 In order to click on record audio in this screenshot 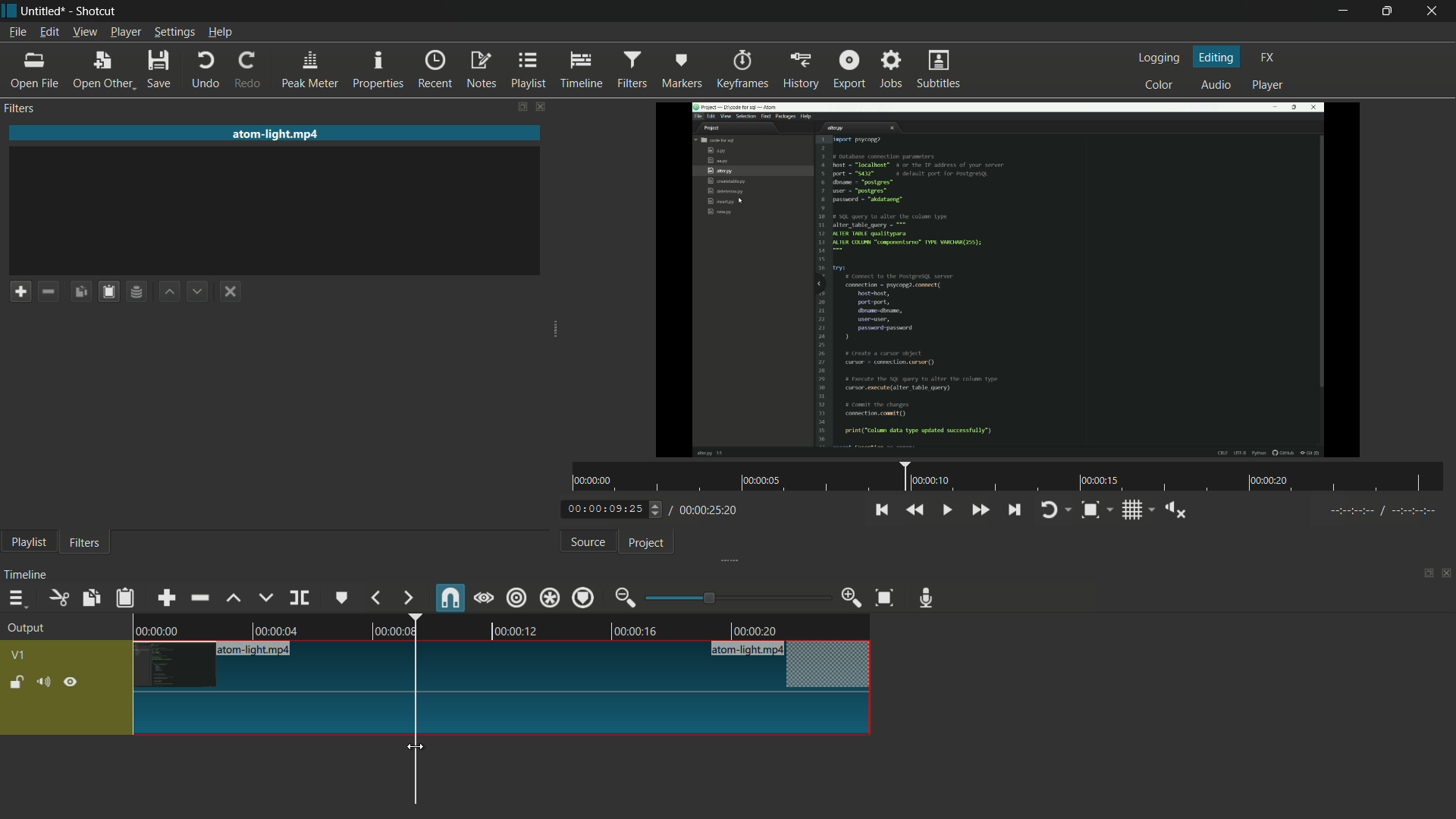, I will do `click(930, 598)`.